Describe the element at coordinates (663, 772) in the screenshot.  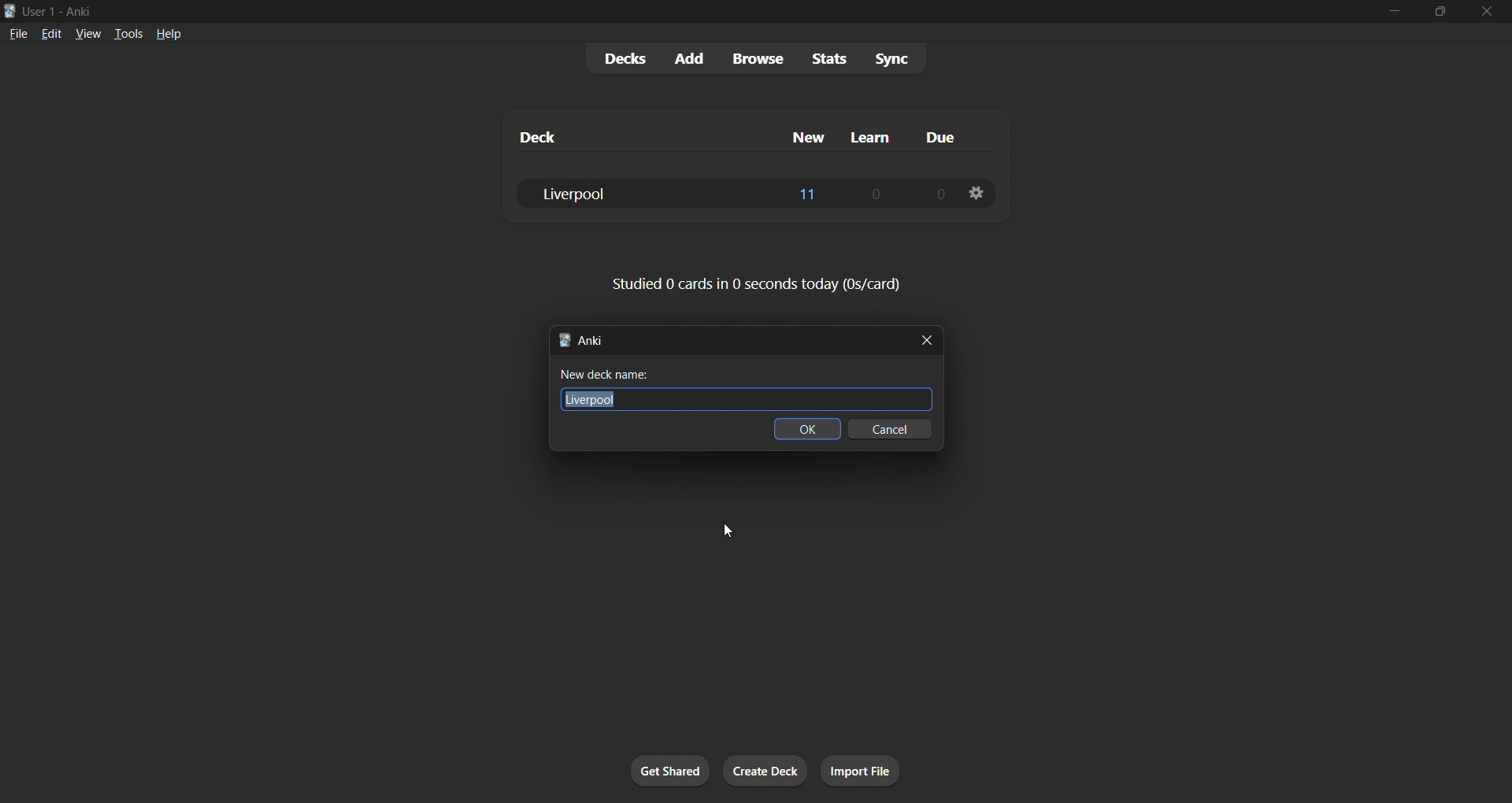
I see `get shared` at that location.